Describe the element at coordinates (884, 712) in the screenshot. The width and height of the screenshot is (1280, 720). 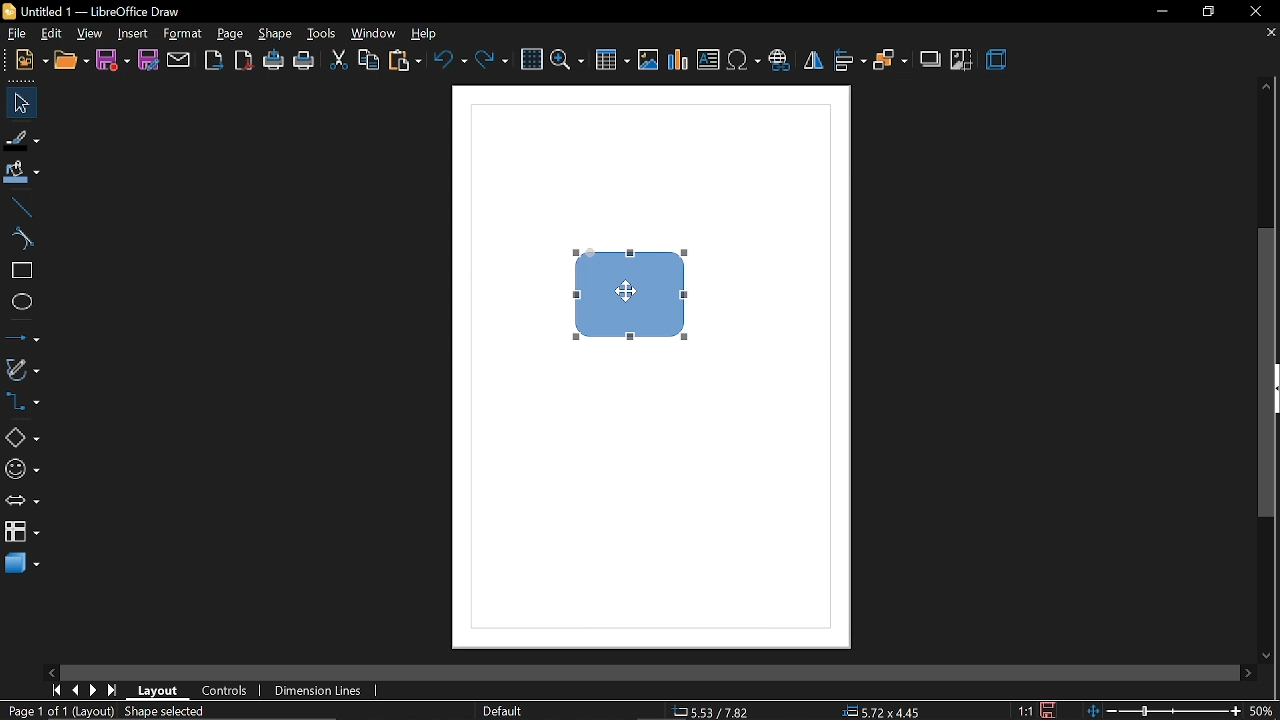
I see `position` at that location.